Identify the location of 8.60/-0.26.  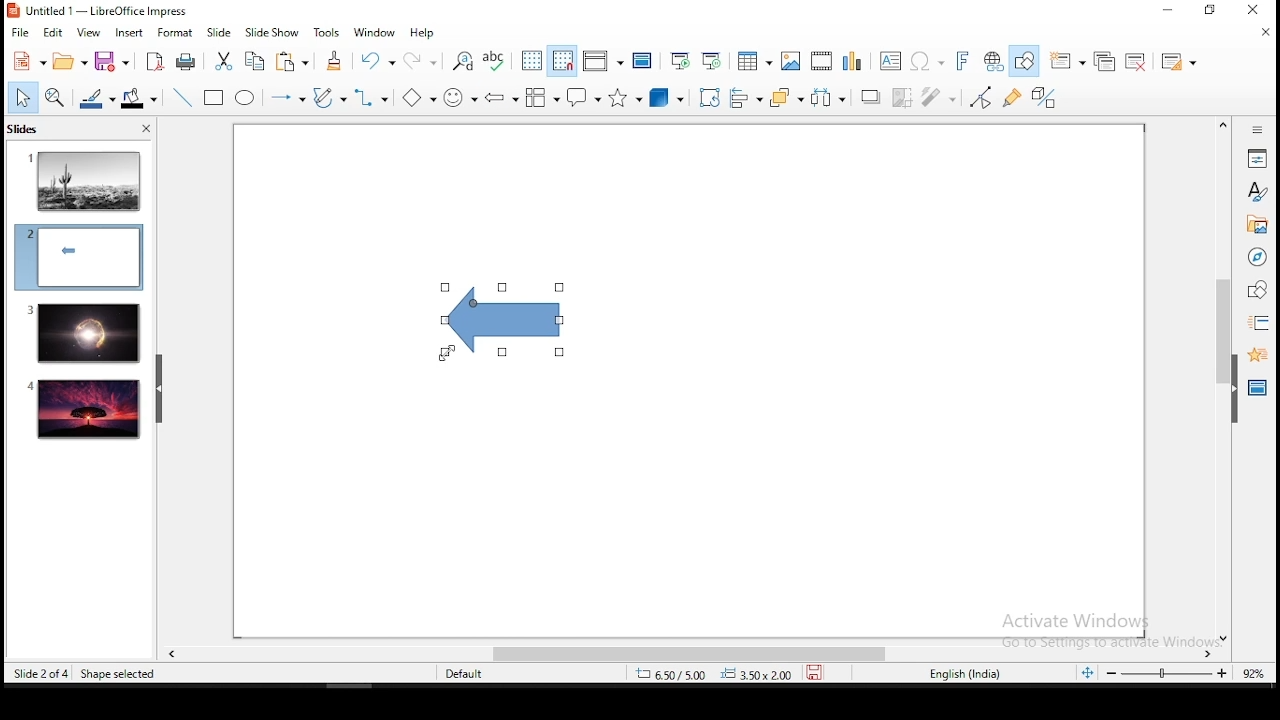
(673, 676).